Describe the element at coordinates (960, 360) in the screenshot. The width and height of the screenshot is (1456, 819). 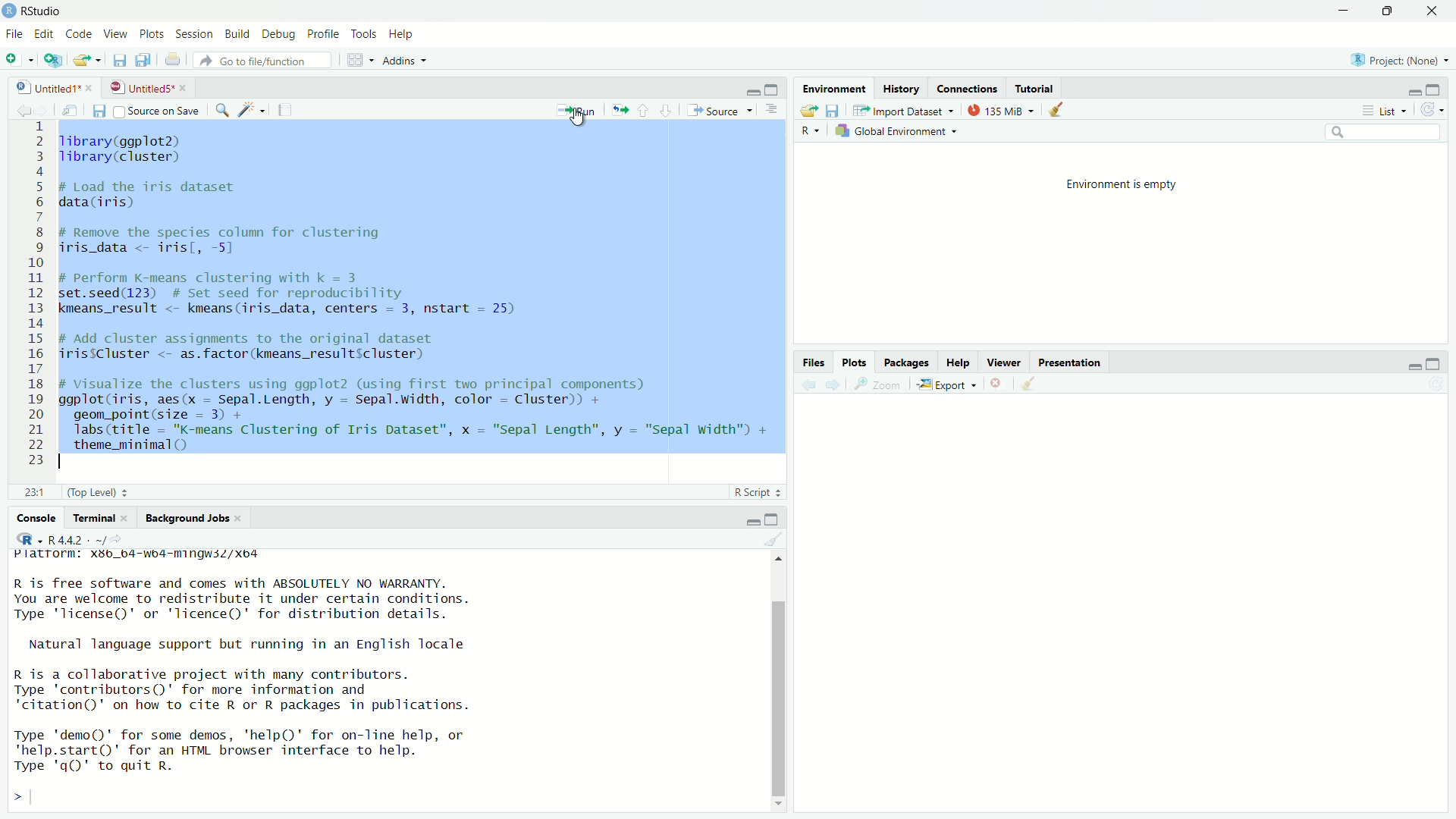
I see `help` at that location.